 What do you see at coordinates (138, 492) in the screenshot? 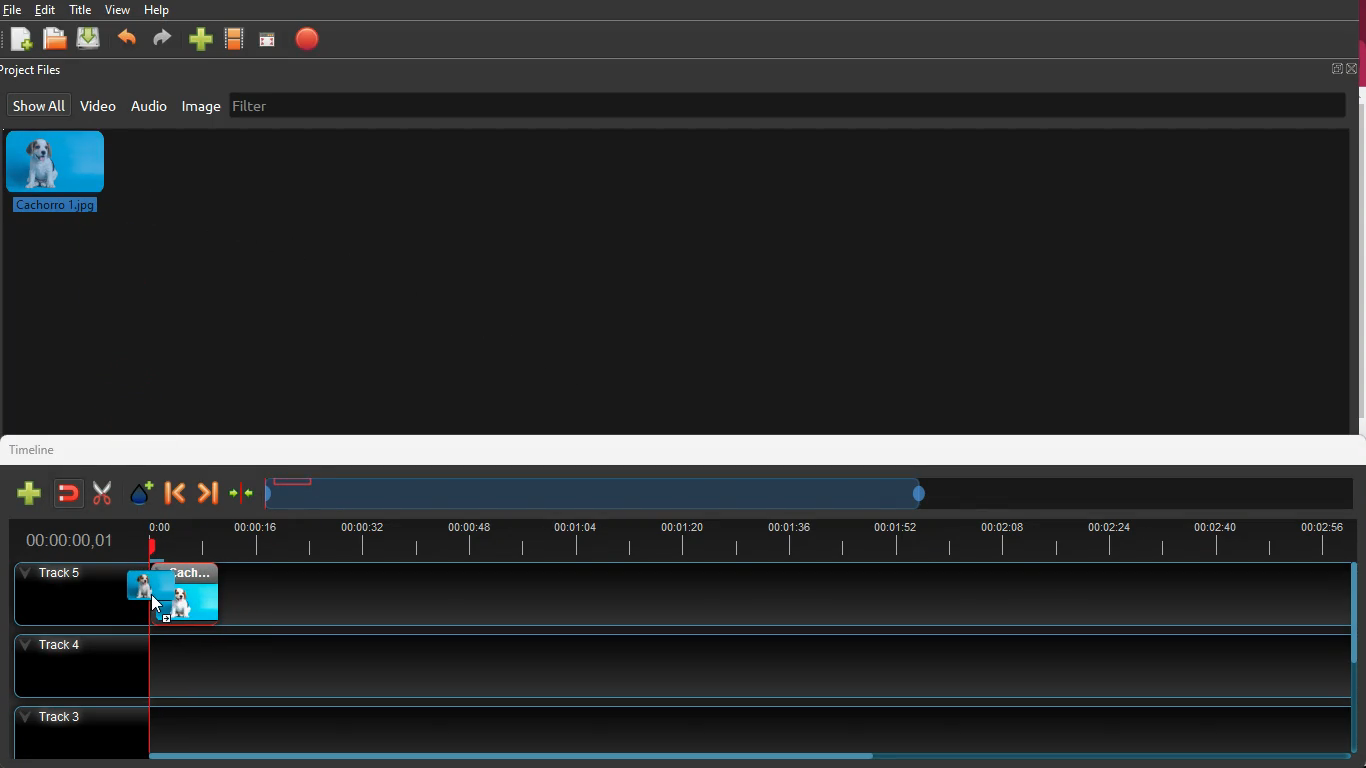
I see `effect` at bounding box center [138, 492].